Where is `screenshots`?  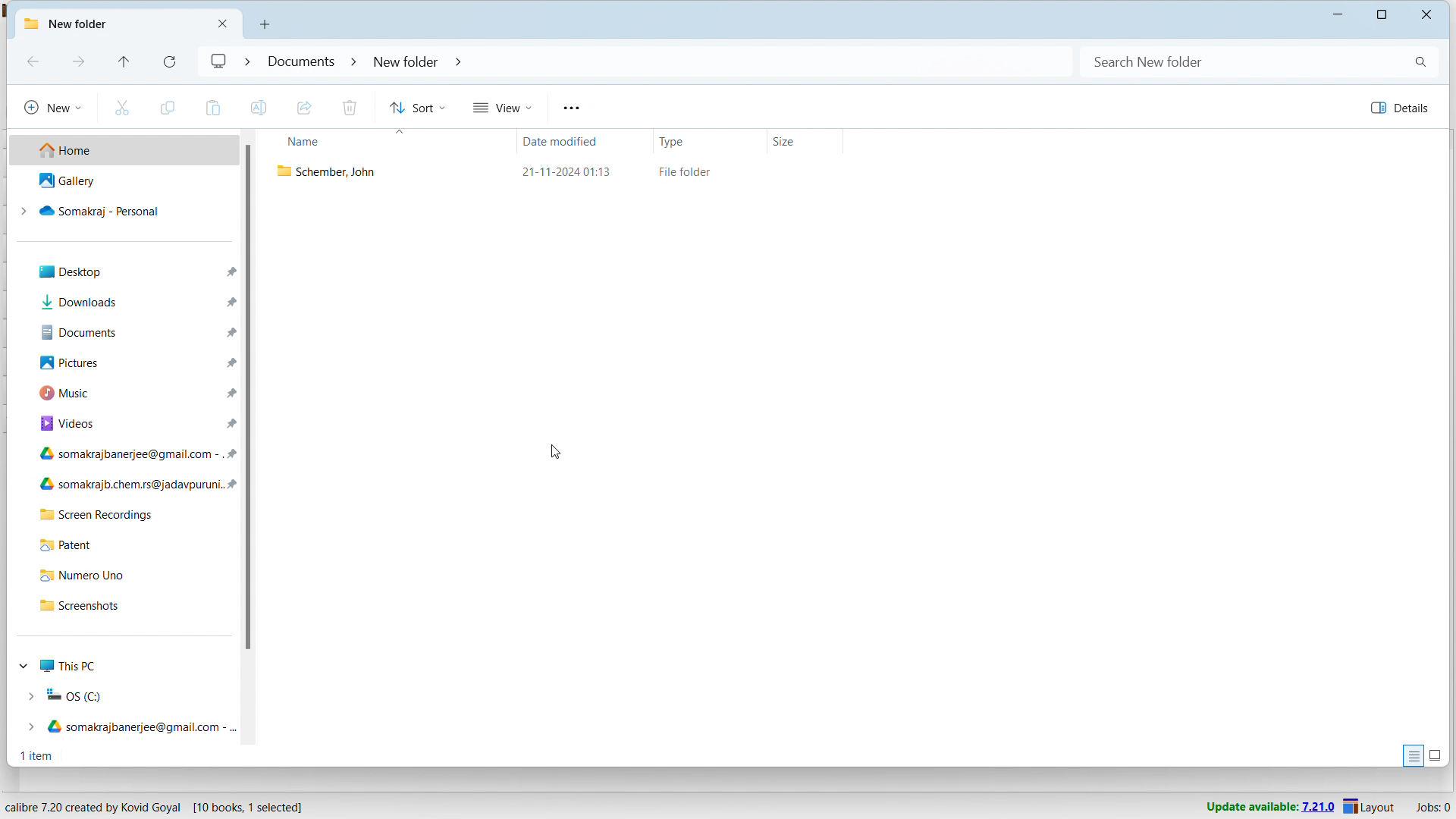
screenshots is located at coordinates (81, 605).